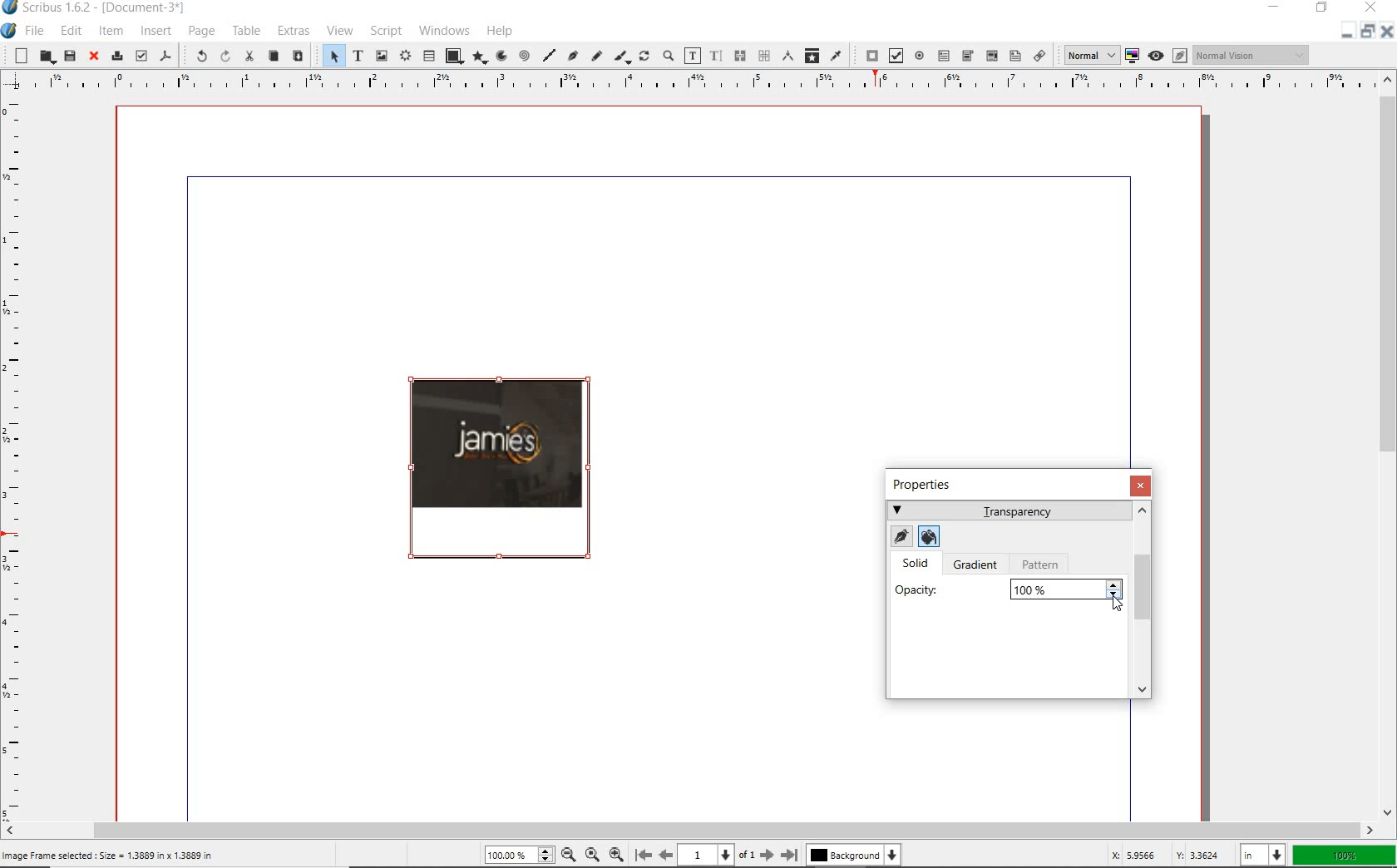 The width and height of the screenshot is (1397, 868). Describe the element at coordinates (47, 57) in the screenshot. I see `open` at that location.